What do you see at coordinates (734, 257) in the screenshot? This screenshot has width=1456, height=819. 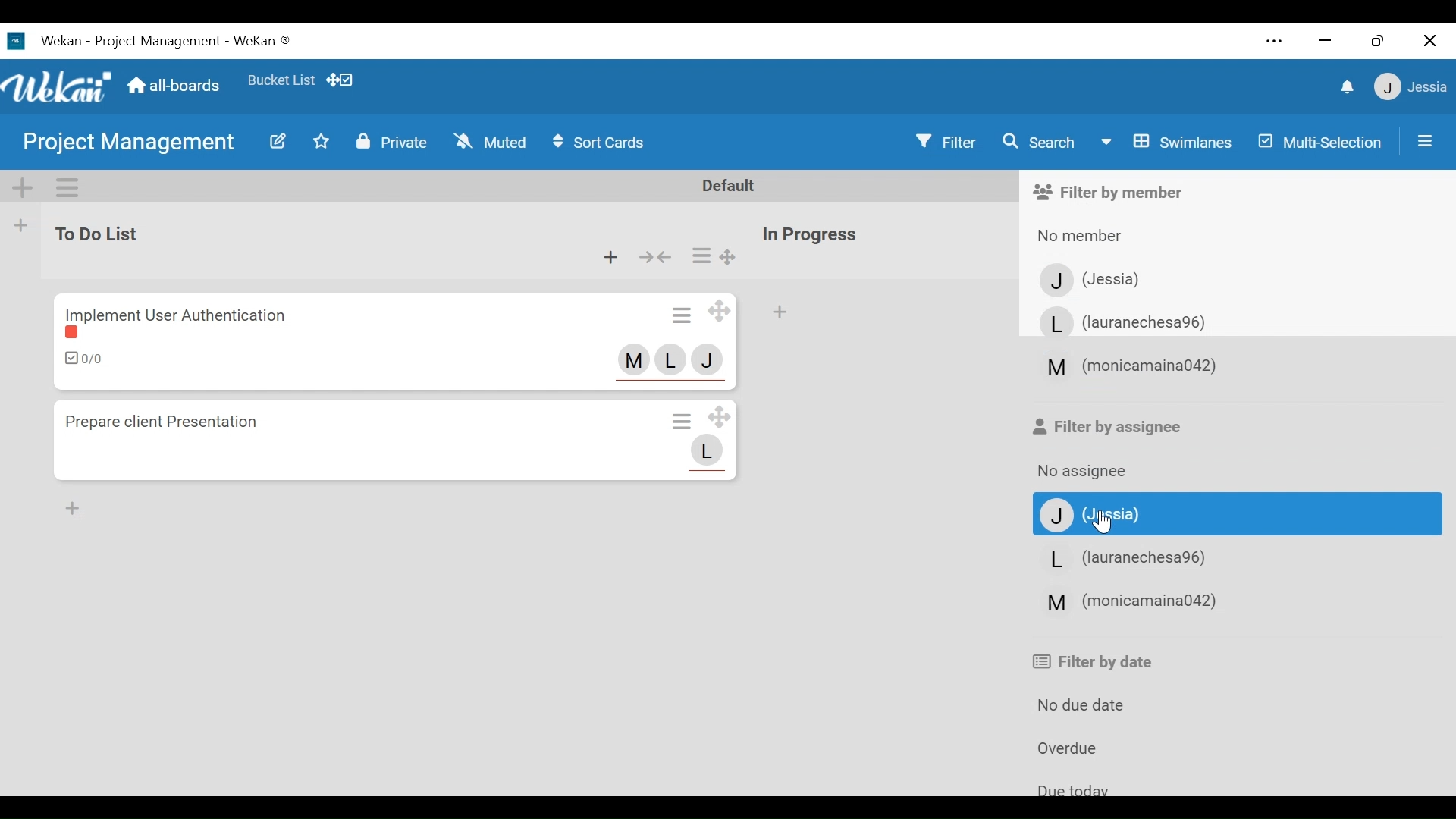 I see `Desktop drag handles` at bounding box center [734, 257].